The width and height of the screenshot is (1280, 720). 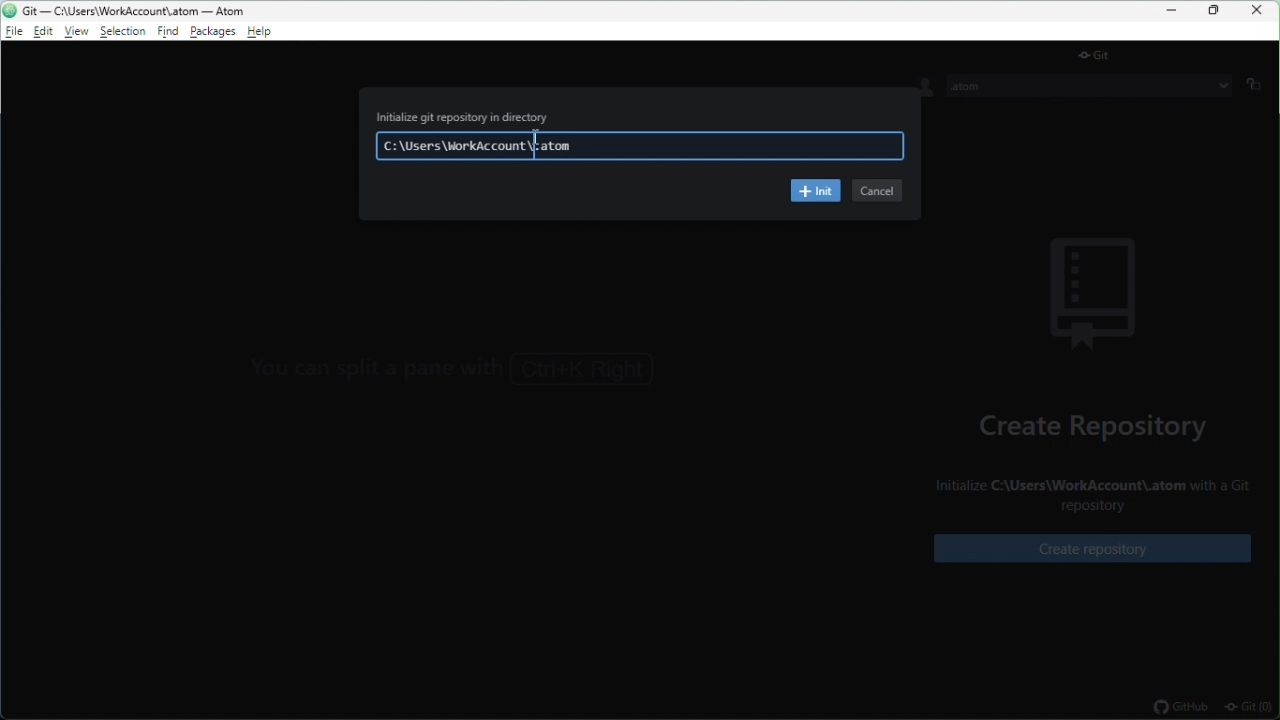 I want to click on C:\Users\WorkAccount\.atom , so click(x=642, y=147).